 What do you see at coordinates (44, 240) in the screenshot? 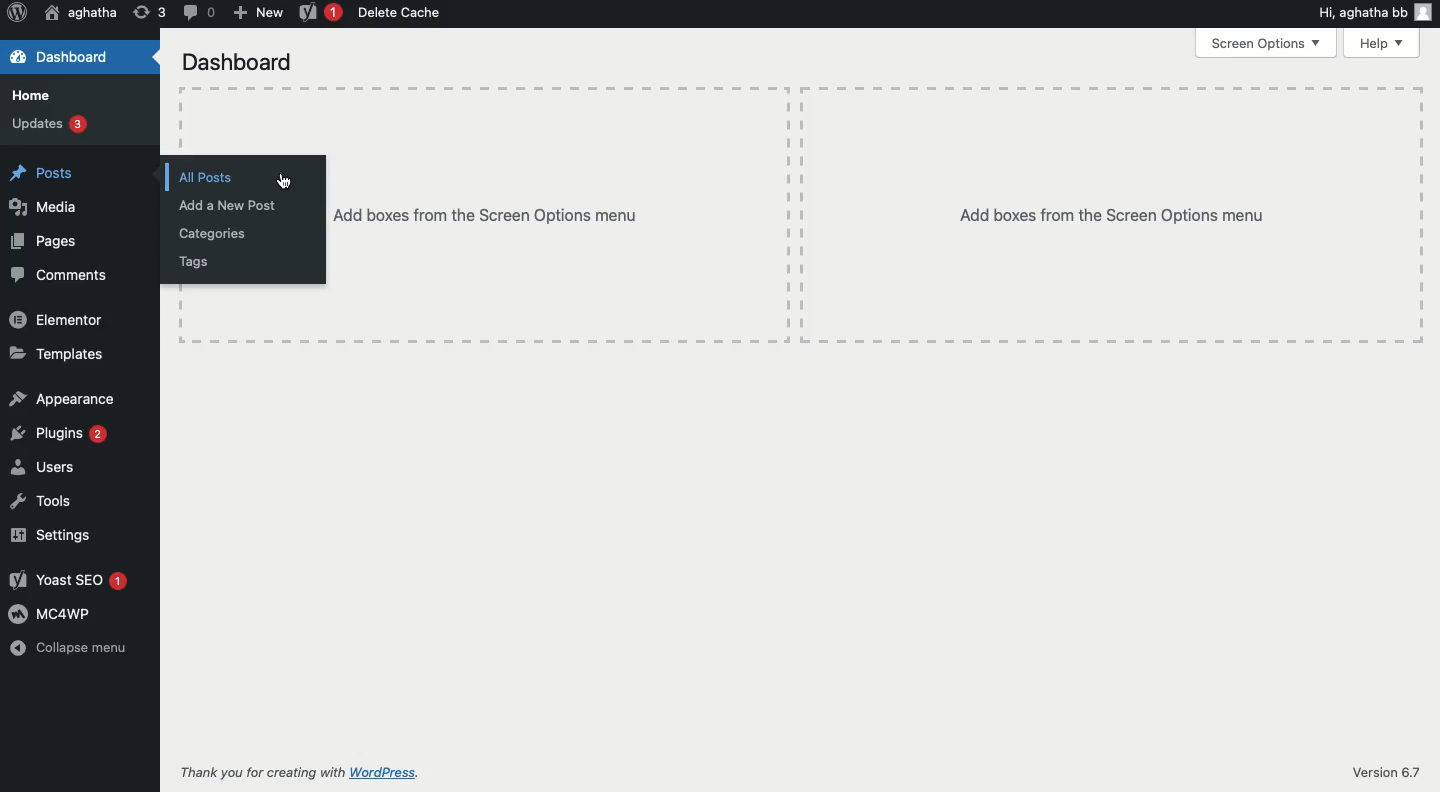
I see `Pages` at bounding box center [44, 240].